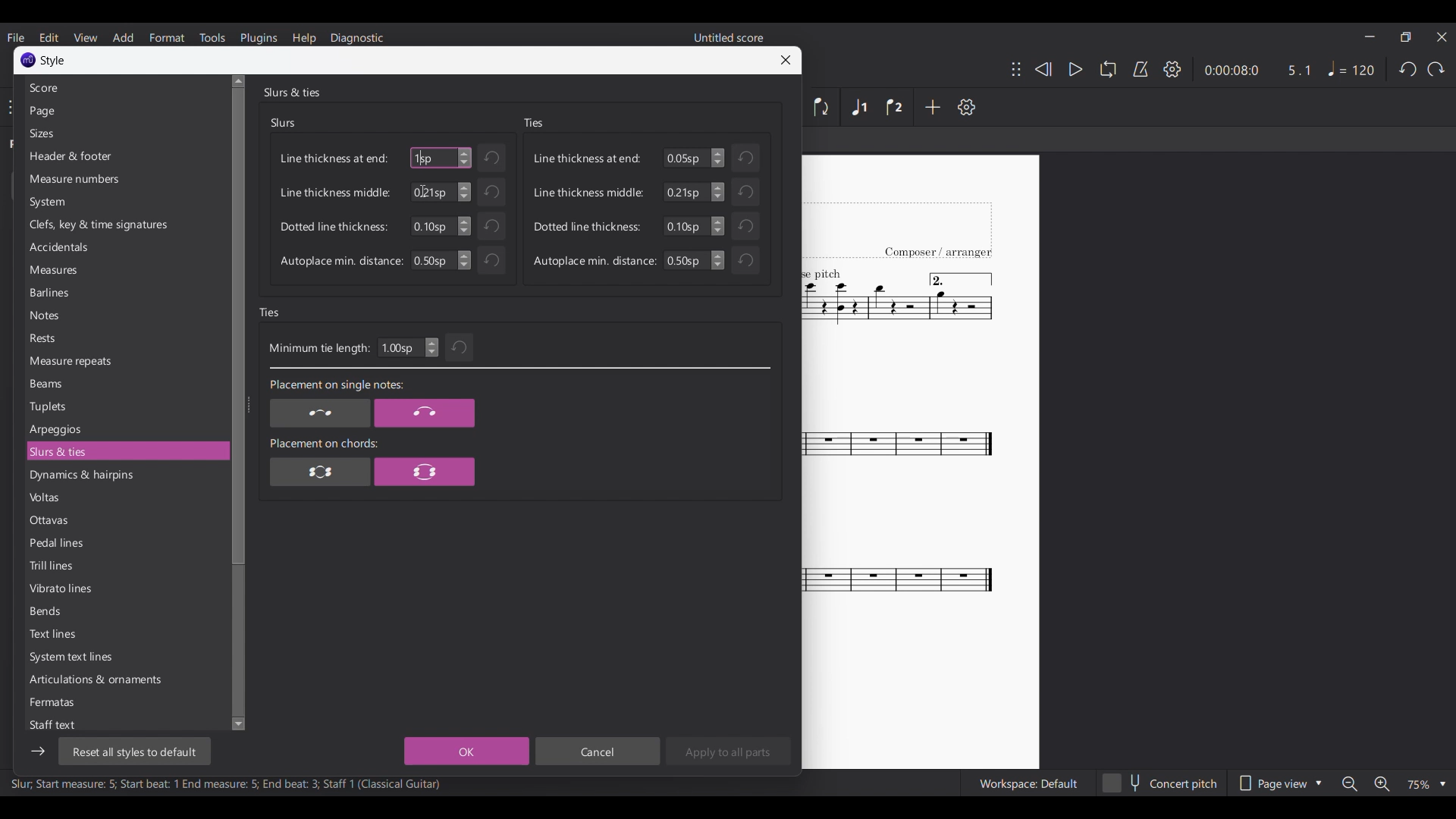  Describe the element at coordinates (125, 588) in the screenshot. I see `Vibrato lines` at that location.